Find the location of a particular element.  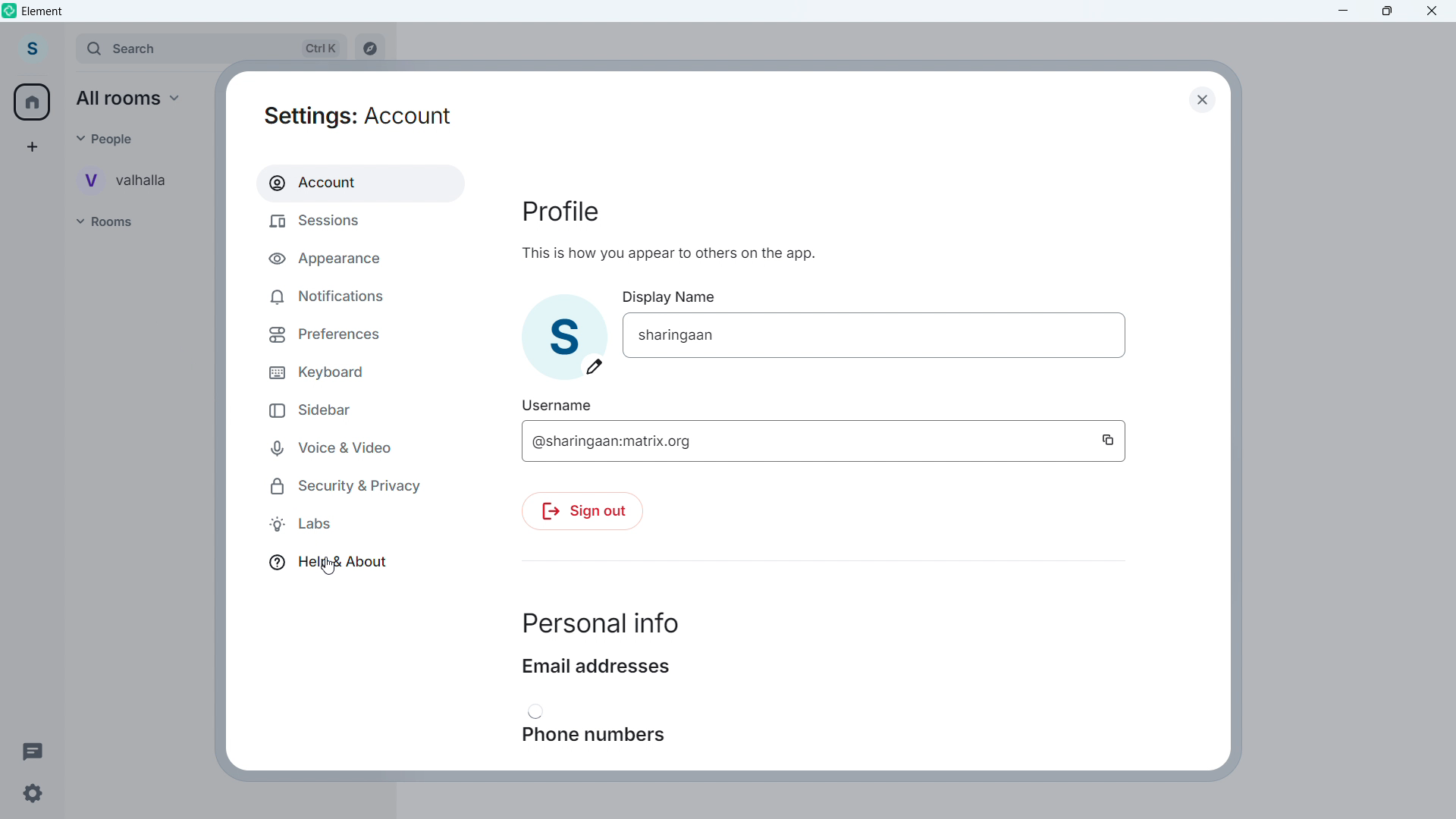

Close  is located at coordinates (1432, 11).